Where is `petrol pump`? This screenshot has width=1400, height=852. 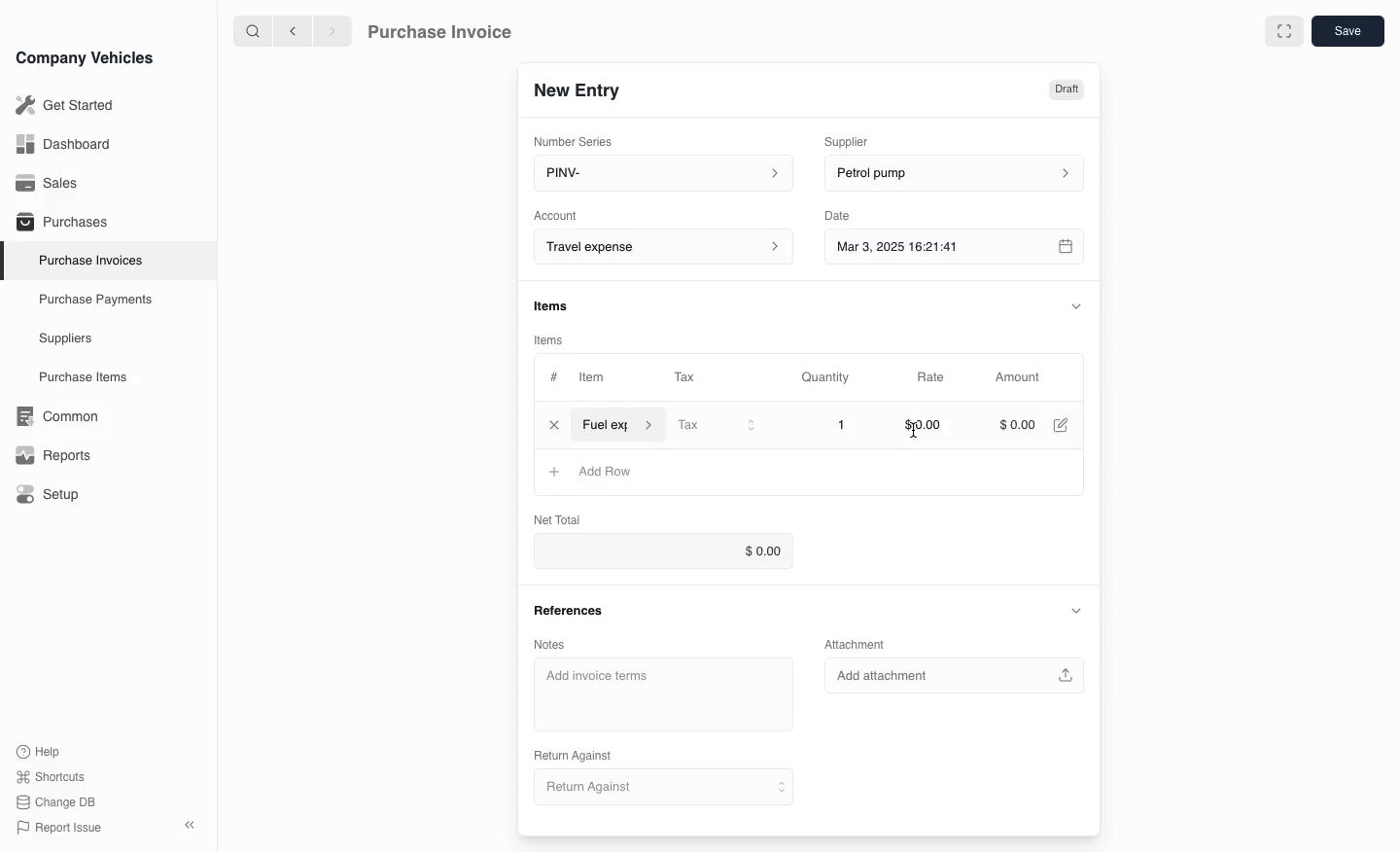 petrol pump is located at coordinates (951, 174).